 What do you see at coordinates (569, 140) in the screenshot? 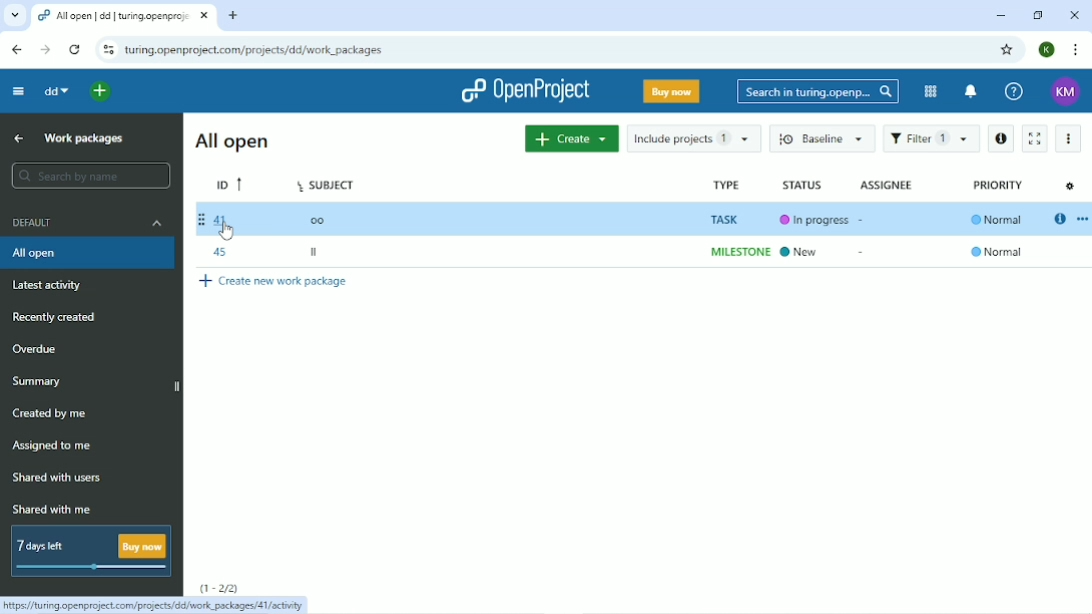
I see `Create` at bounding box center [569, 140].